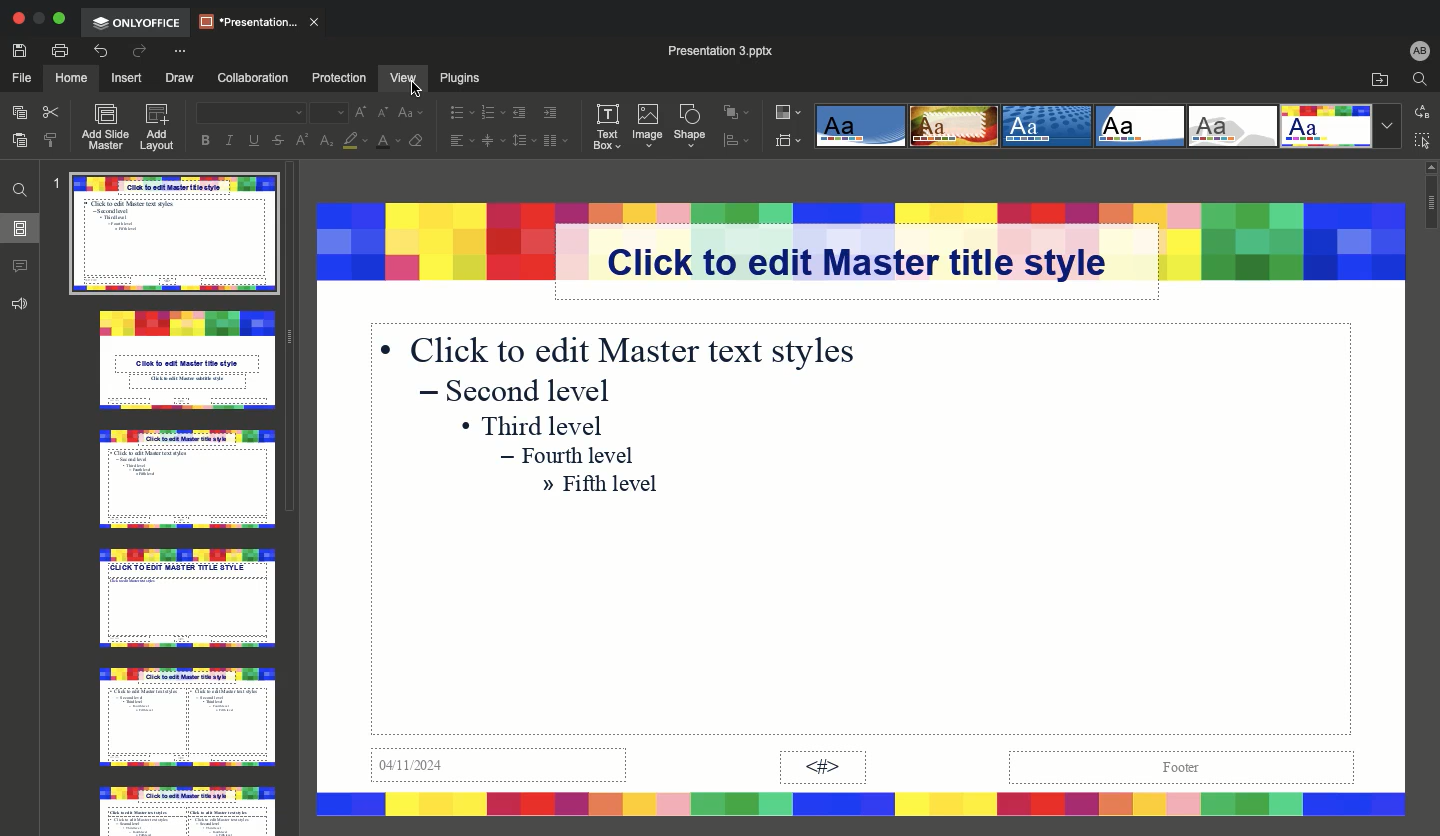 Image resolution: width=1440 pixels, height=836 pixels. Describe the element at coordinates (1327, 127) in the screenshot. I see `Lines style` at that location.